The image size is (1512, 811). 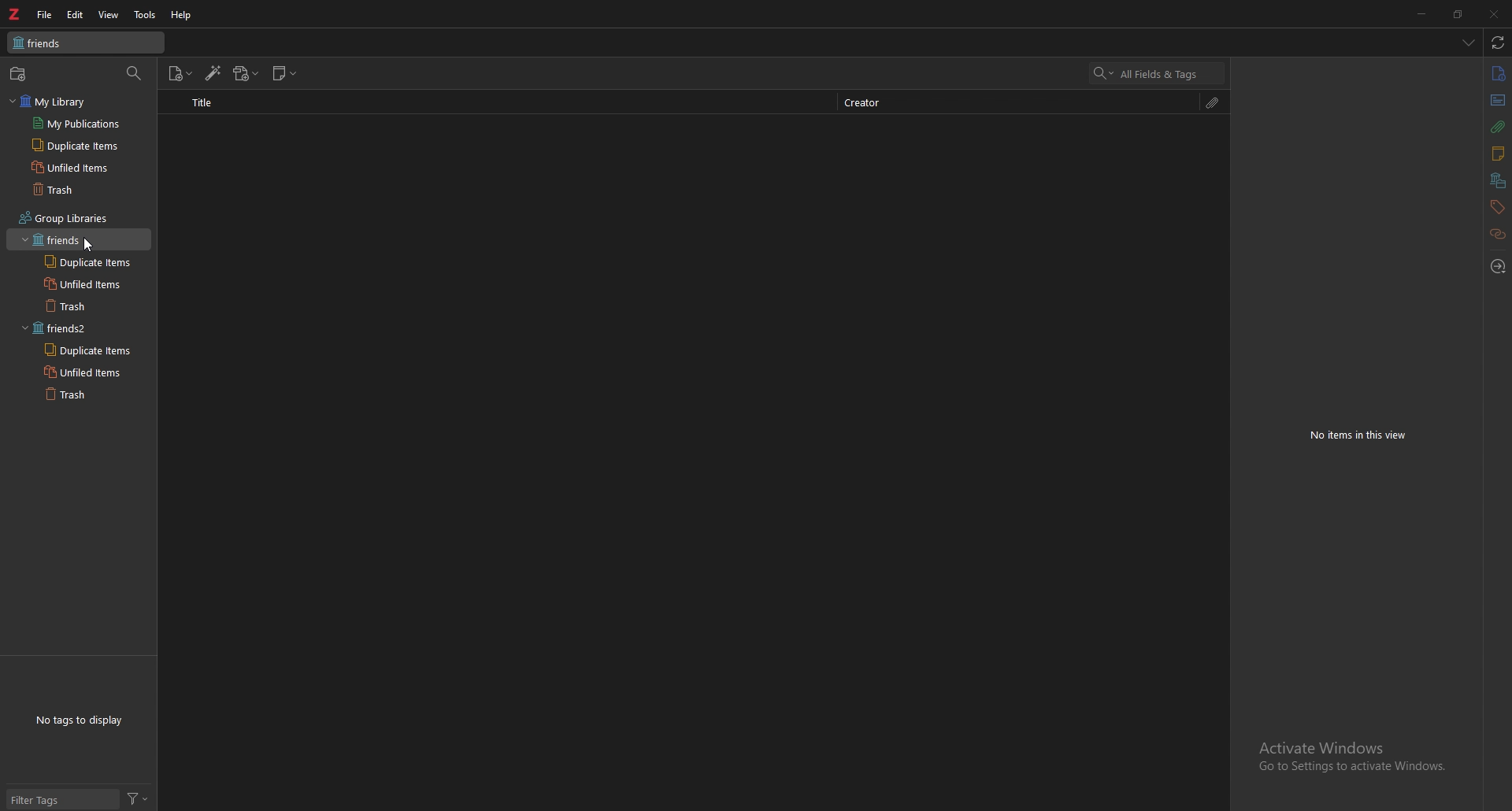 I want to click on duplicate items, so click(x=88, y=263).